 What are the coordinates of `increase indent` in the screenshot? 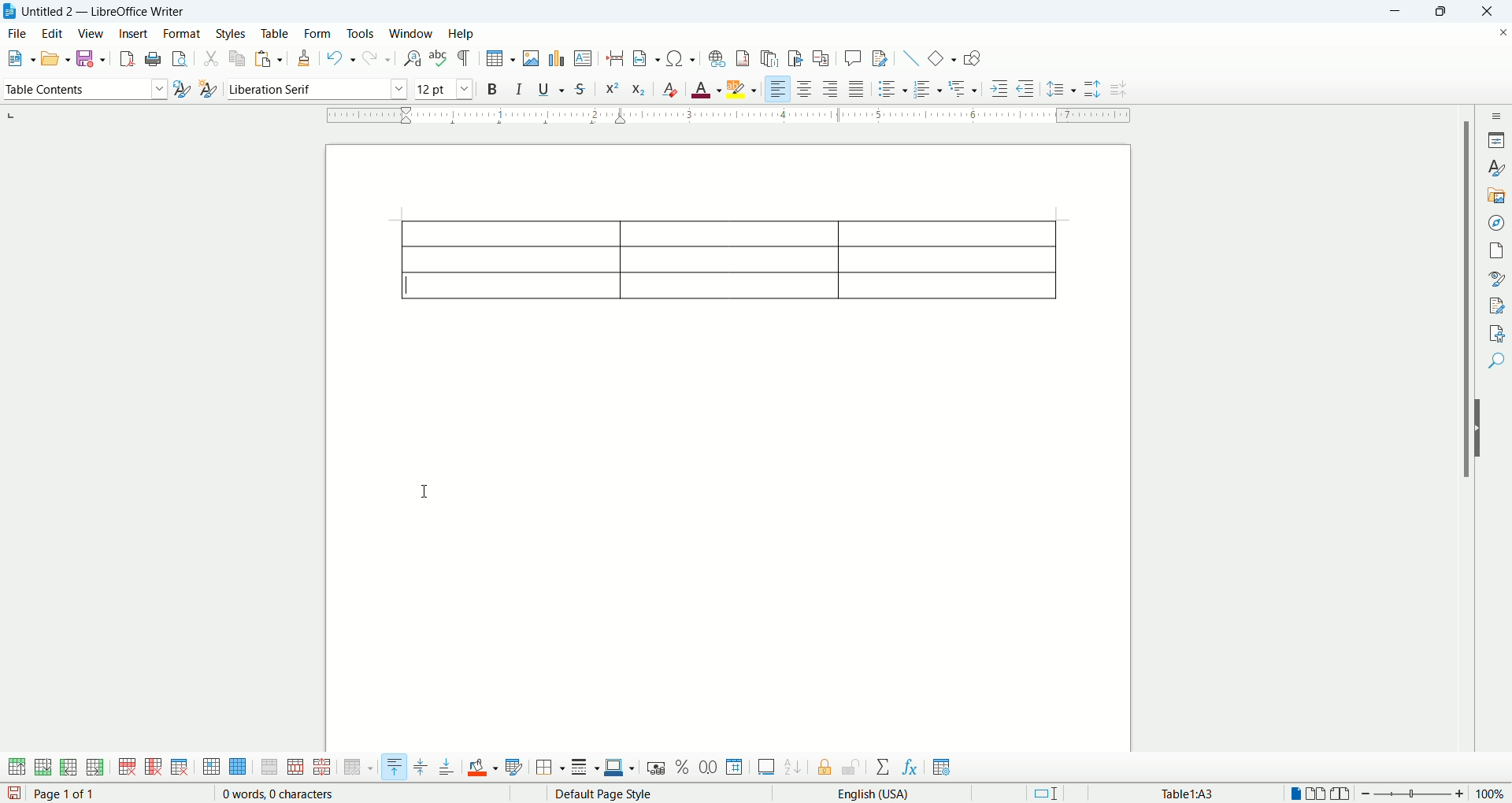 It's located at (1001, 88).